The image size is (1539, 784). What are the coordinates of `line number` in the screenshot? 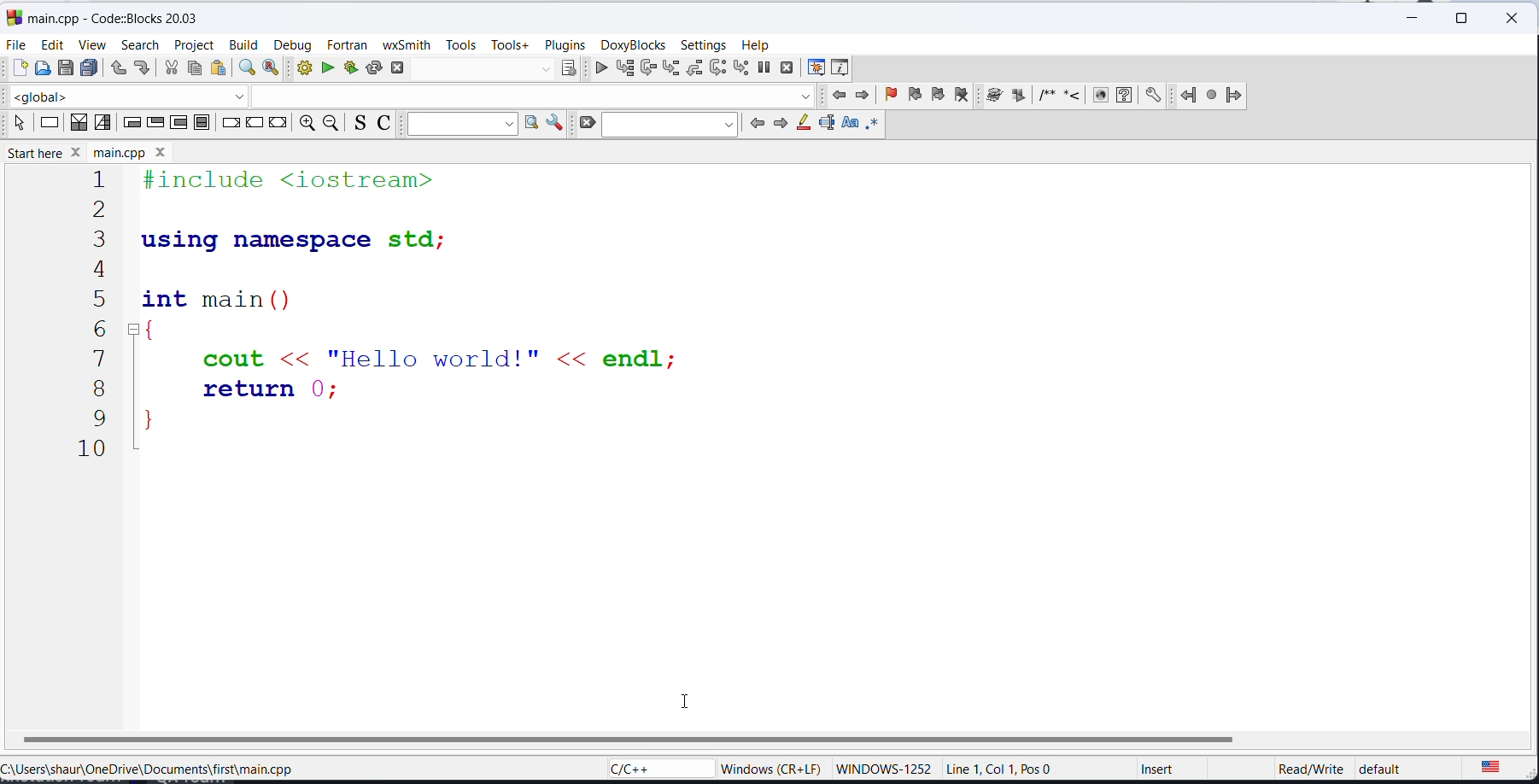 It's located at (89, 315).